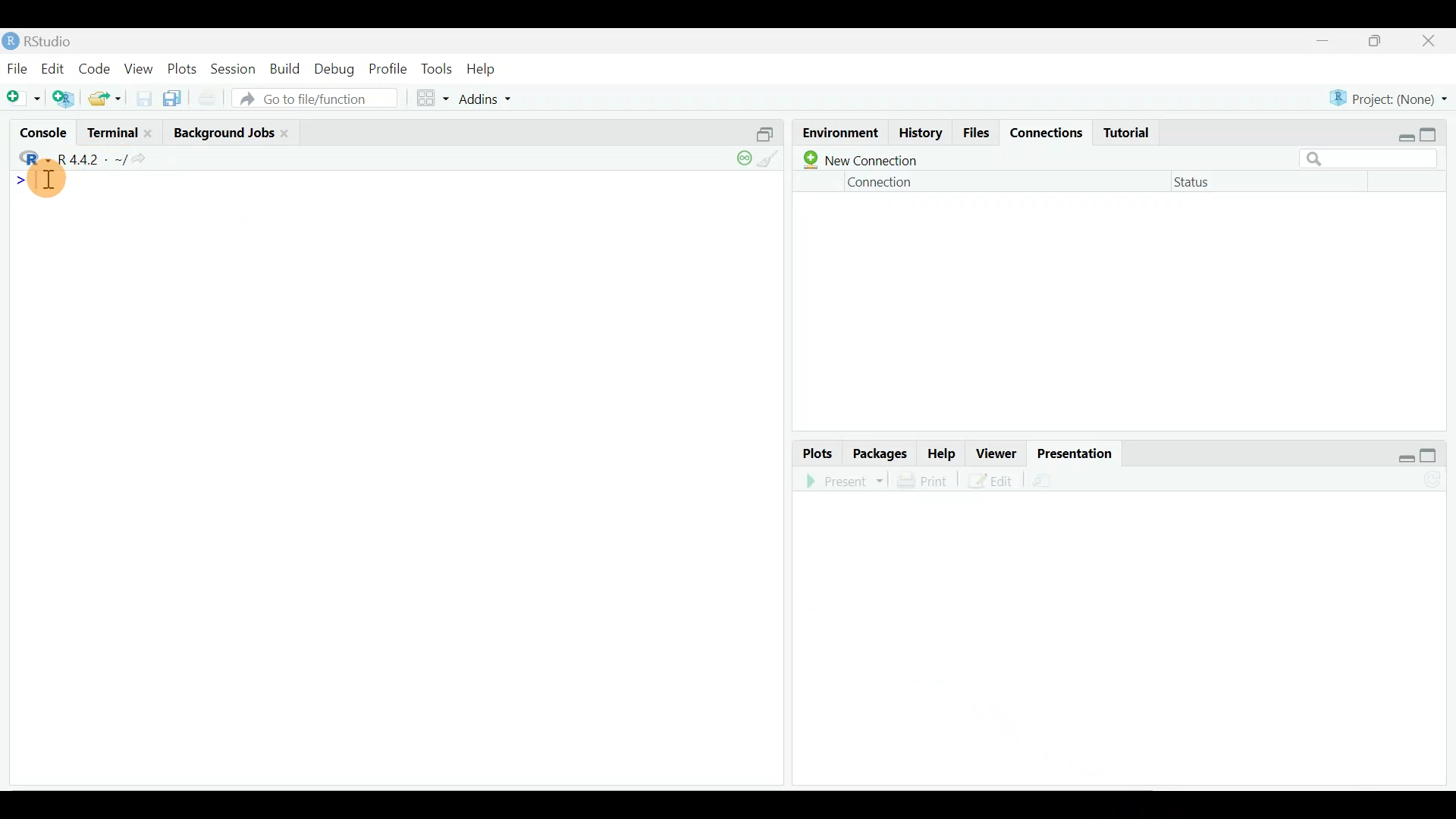 This screenshot has width=1456, height=819. Describe the element at coordinates (15, 180) in the screenshot. I see `Line cursor` at that location.